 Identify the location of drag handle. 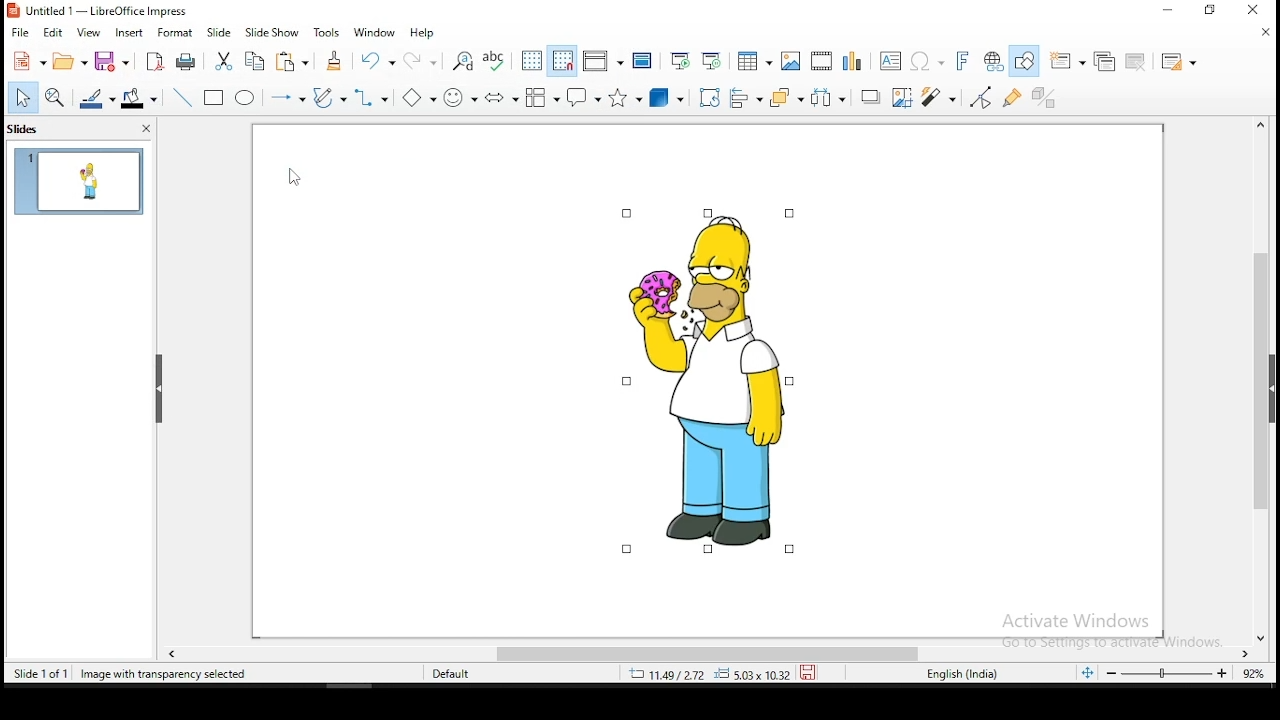
(160, 391).